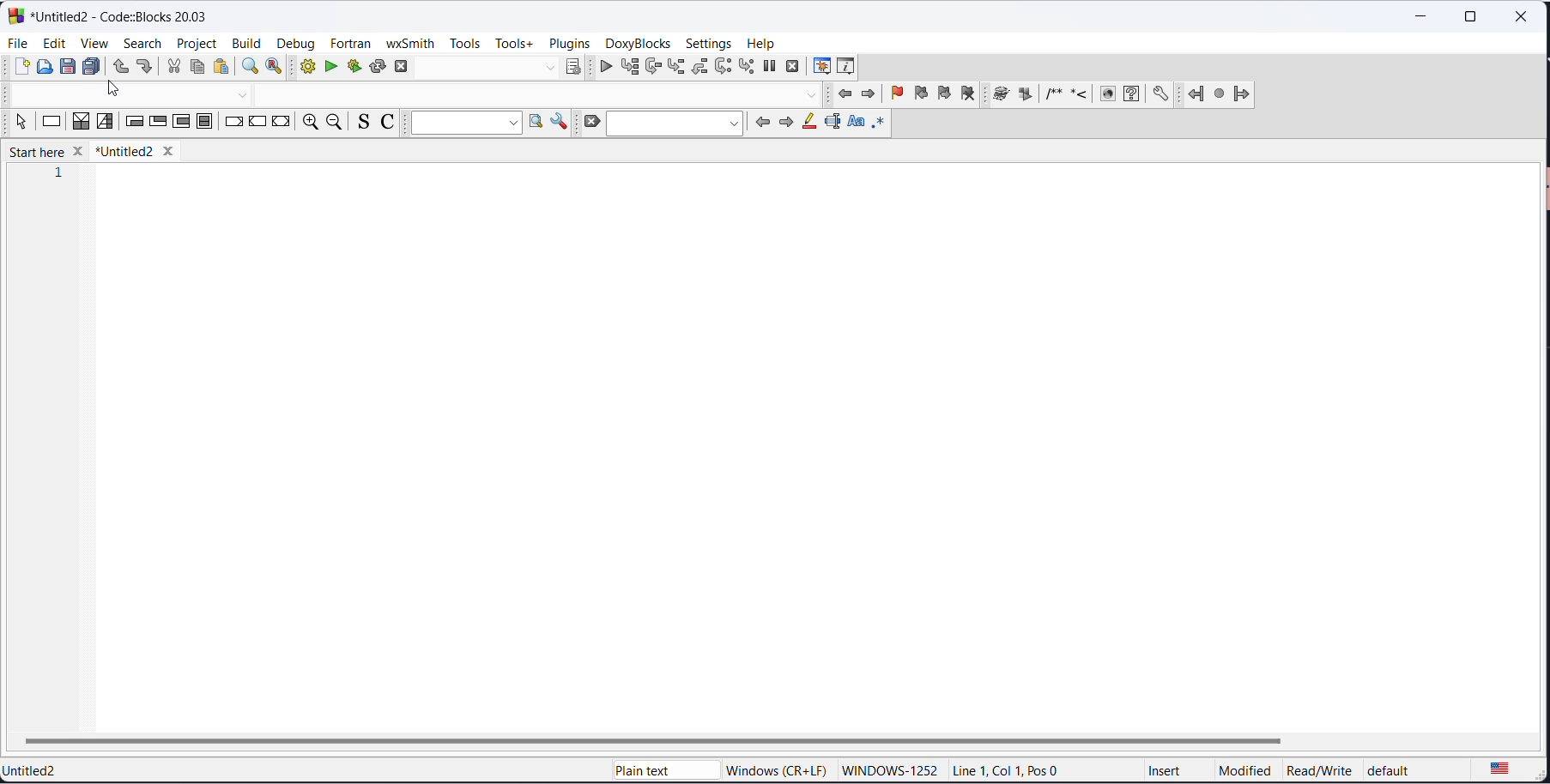  I want to click on close, so click(1523, 20).